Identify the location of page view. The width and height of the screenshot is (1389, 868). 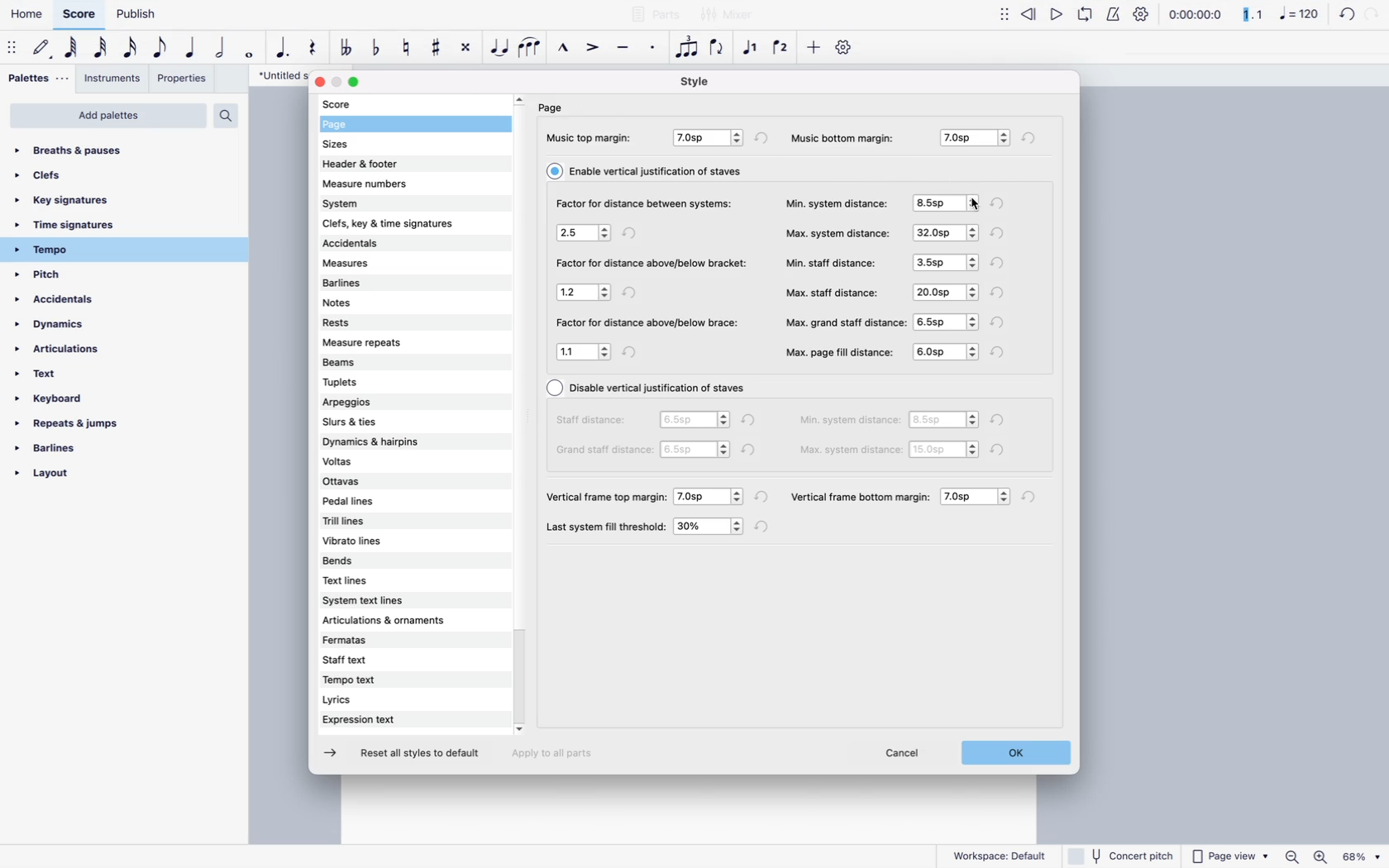
(1229, 856).